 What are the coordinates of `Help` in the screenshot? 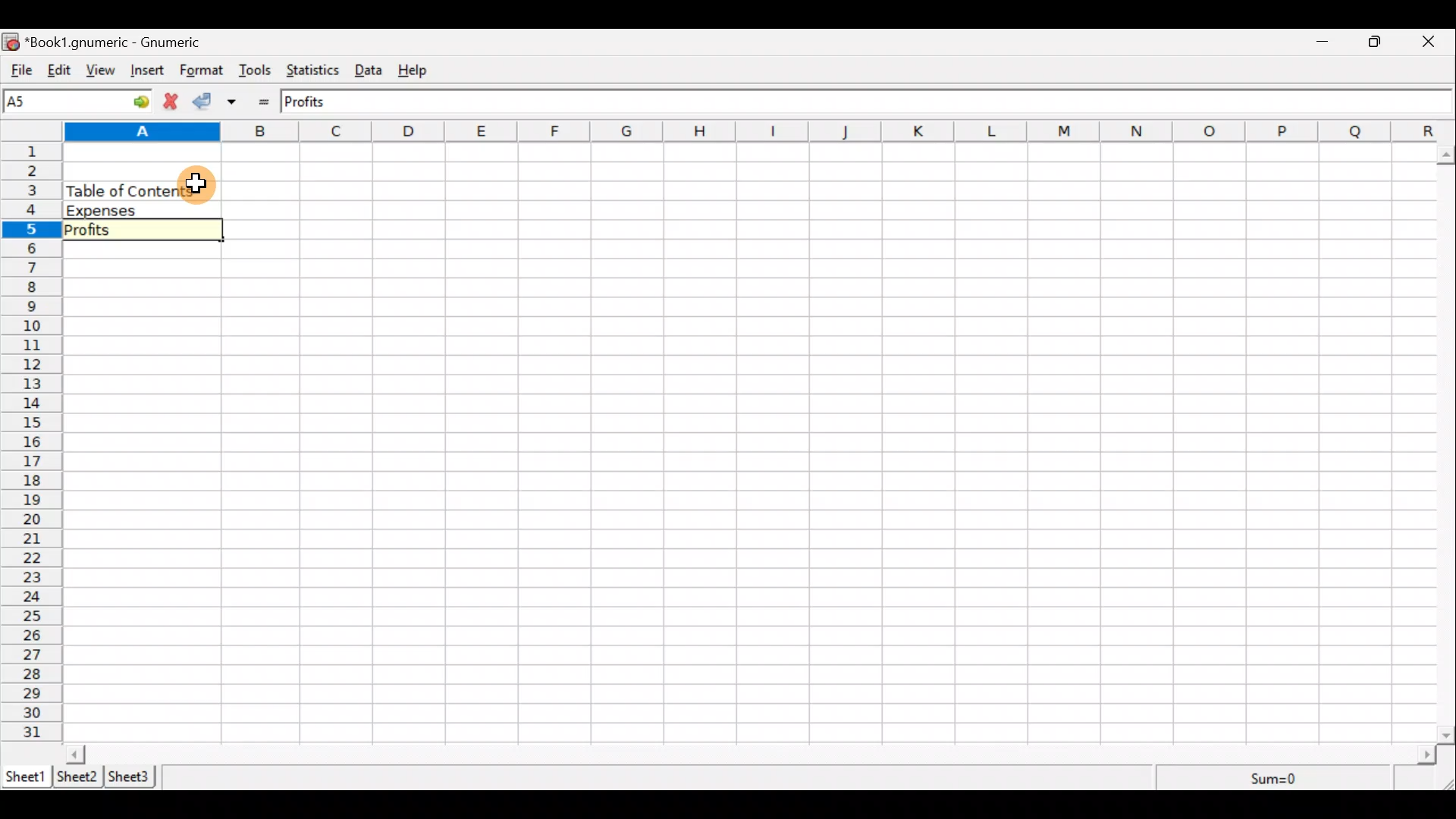 It's located at (420, 71).